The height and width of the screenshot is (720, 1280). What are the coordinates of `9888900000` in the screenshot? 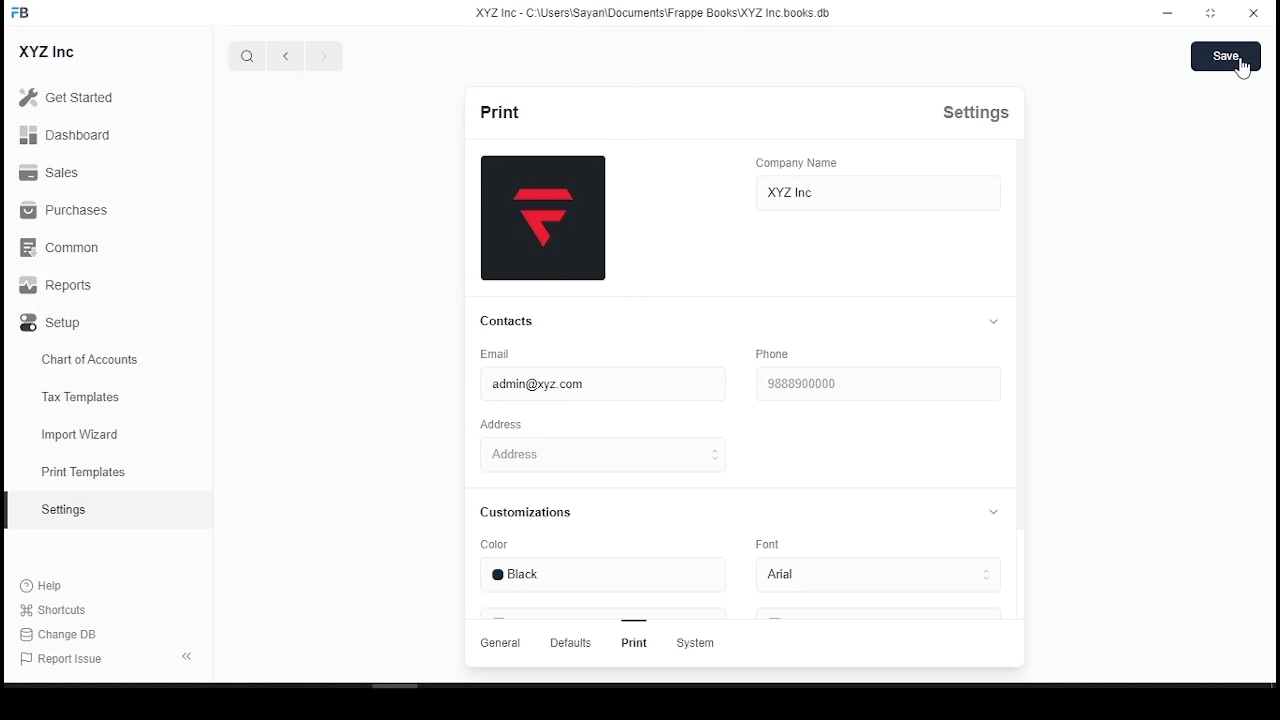 It's located at (804, 383).